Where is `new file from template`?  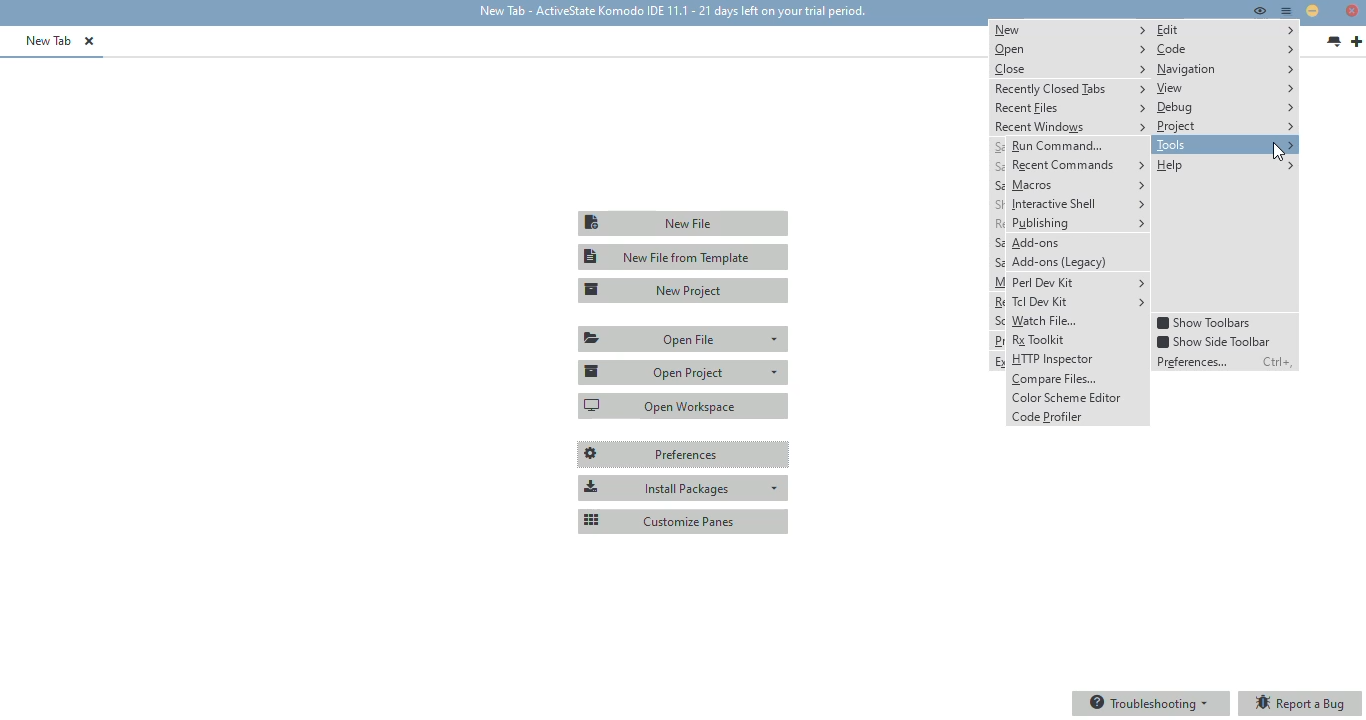 new file from template is located at coordinates (684, 257).